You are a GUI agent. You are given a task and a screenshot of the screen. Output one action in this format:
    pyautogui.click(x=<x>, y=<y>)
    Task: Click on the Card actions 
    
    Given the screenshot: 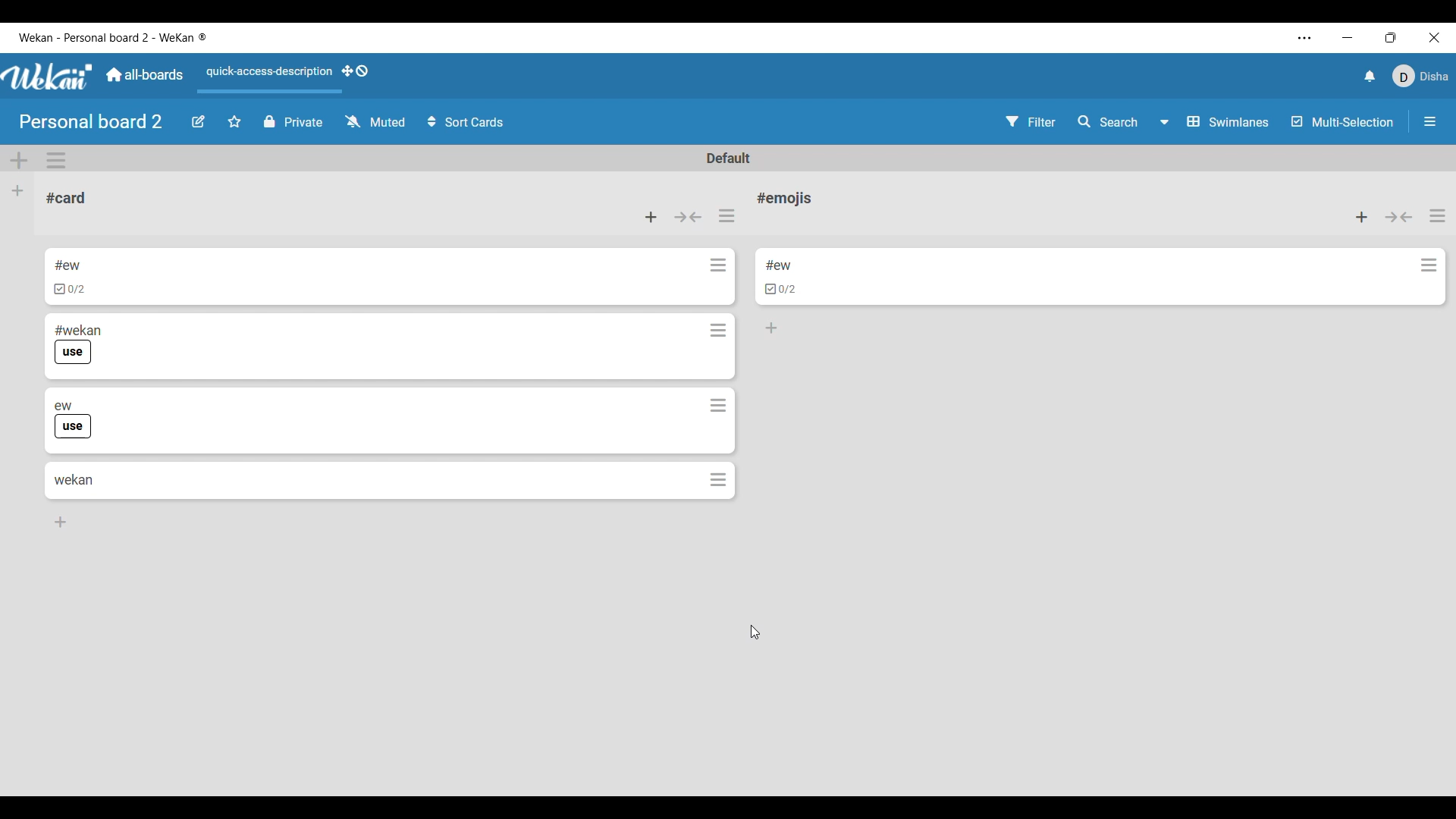 What is the action you would take?
    pyautogui.click(x=717, y=401)
    